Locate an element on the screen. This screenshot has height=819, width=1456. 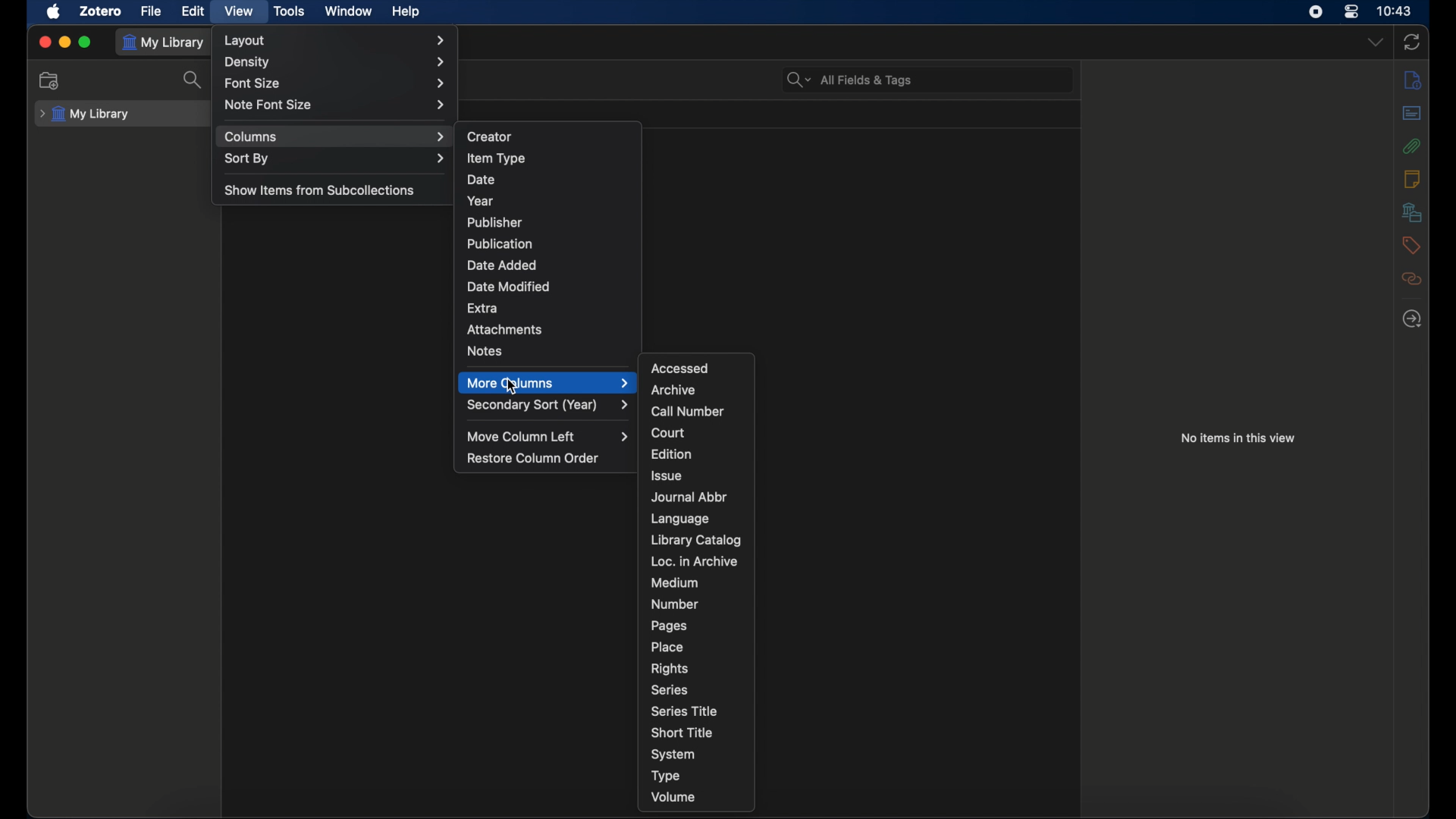
maximize is located at coordinates (86, 42).